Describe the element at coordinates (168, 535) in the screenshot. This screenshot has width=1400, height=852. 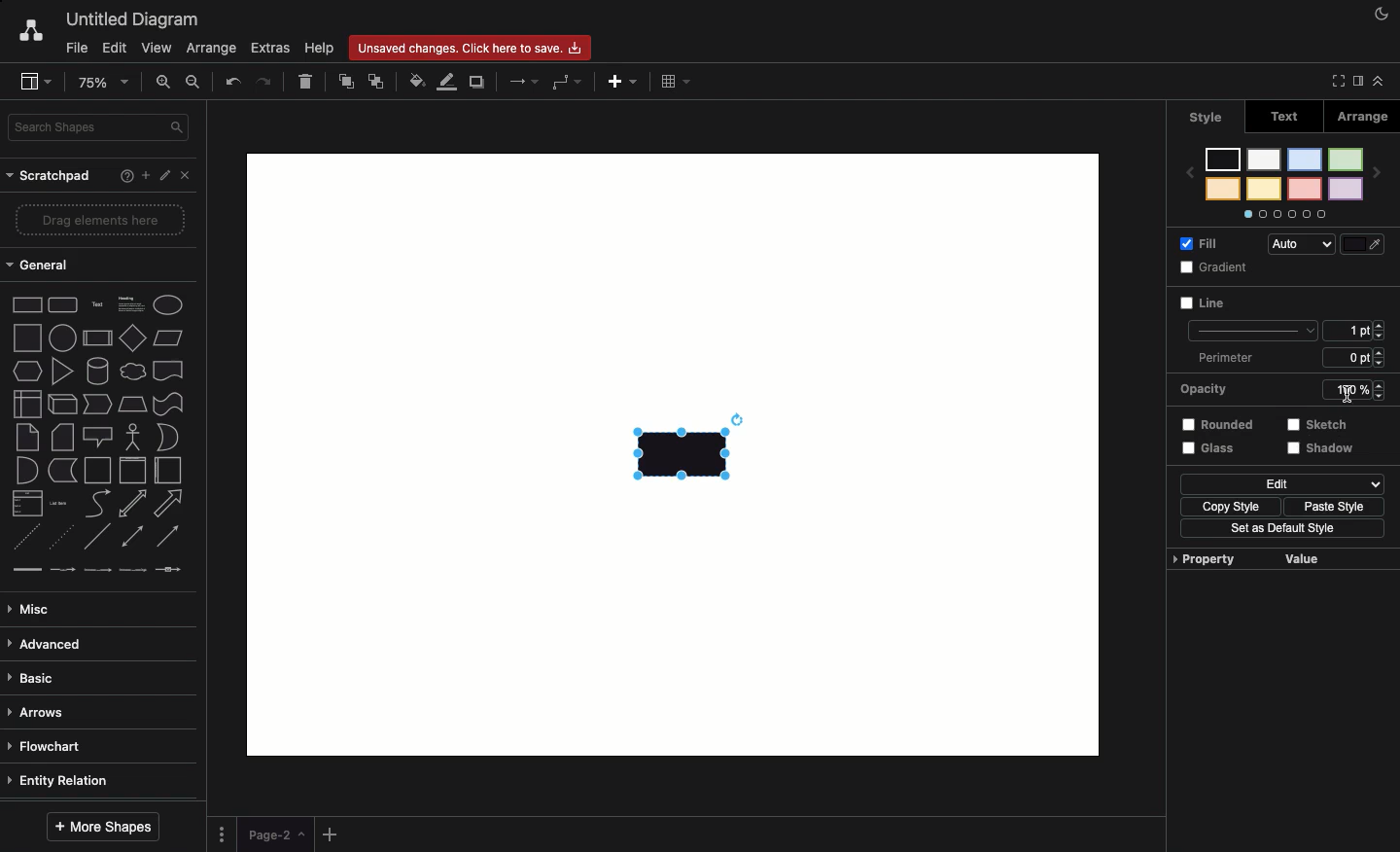
I see `directional connector` at that location.